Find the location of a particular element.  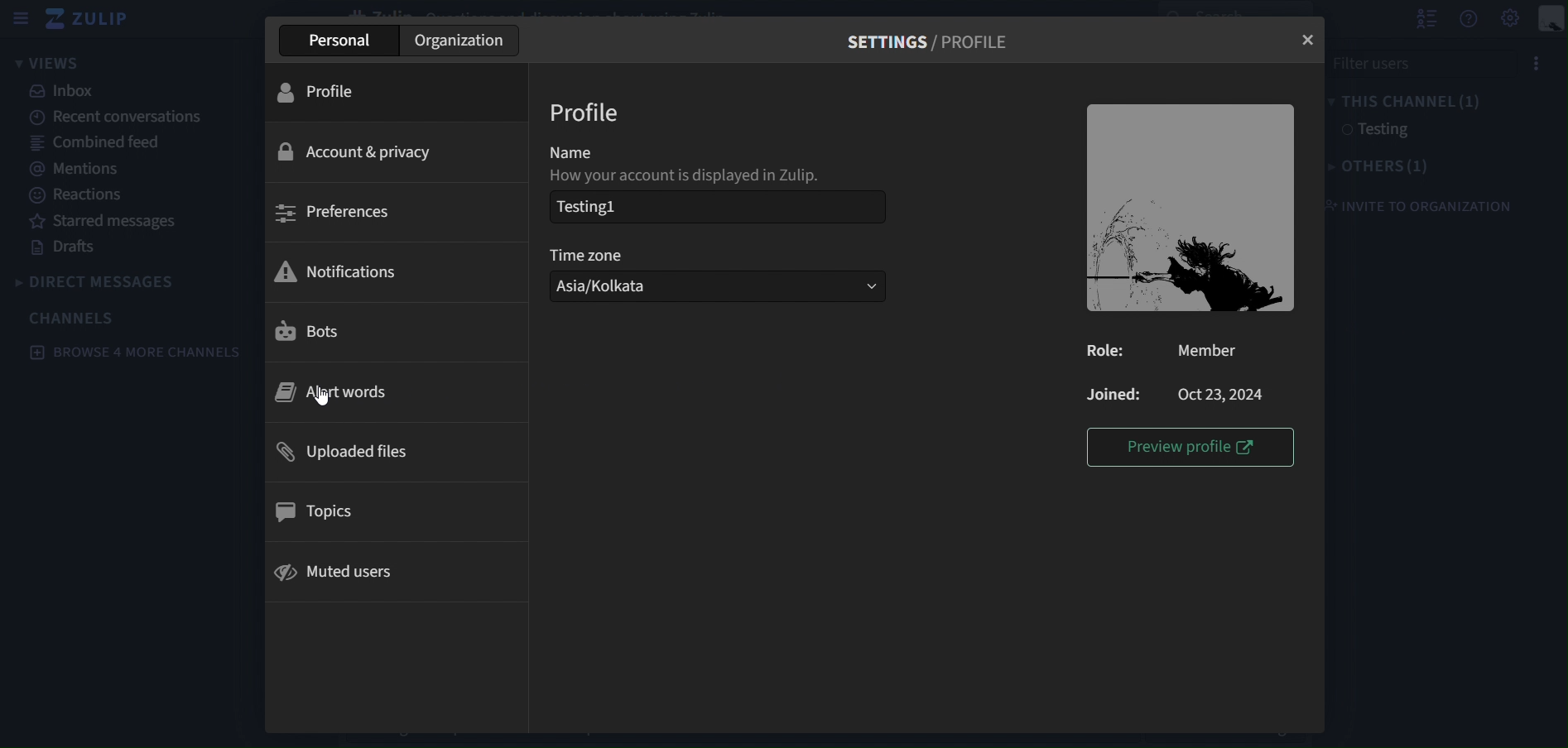

account & privacy is located at coordinates (362, 152).